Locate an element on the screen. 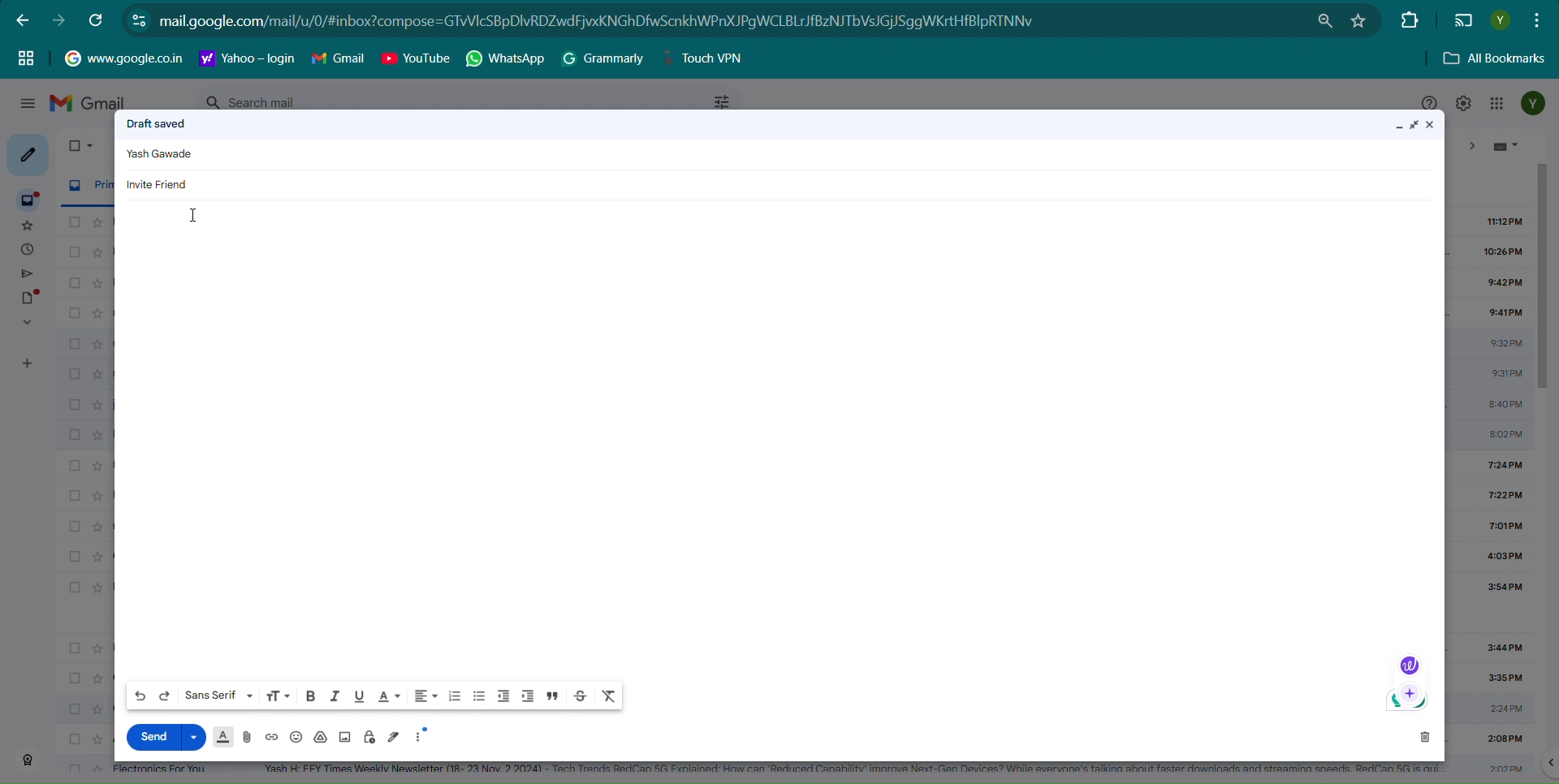  Insert Signature is located at coordinates (395, 736).